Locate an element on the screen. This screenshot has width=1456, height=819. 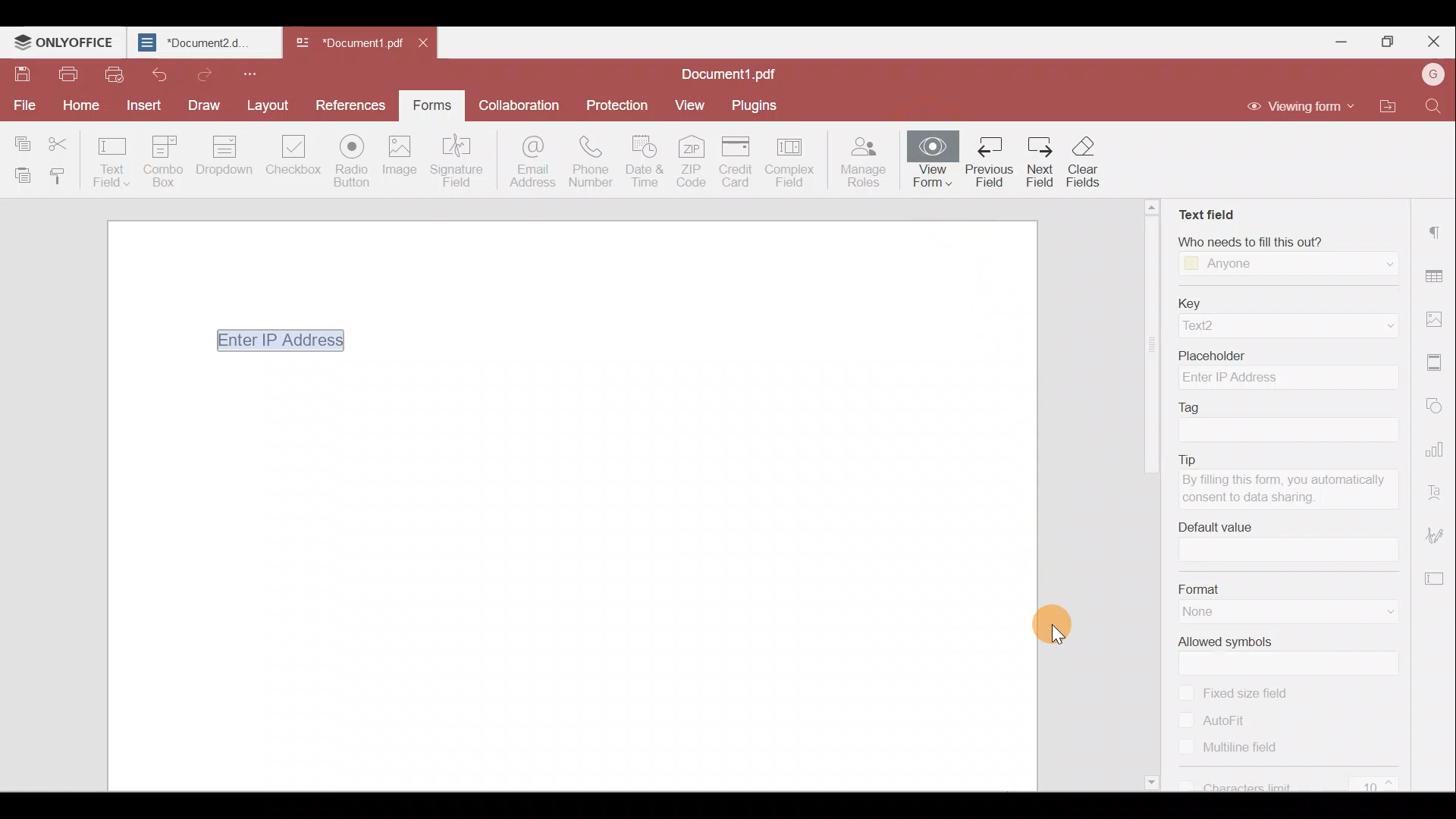
Allowed symbols field is located at coordinates (1297, 664).